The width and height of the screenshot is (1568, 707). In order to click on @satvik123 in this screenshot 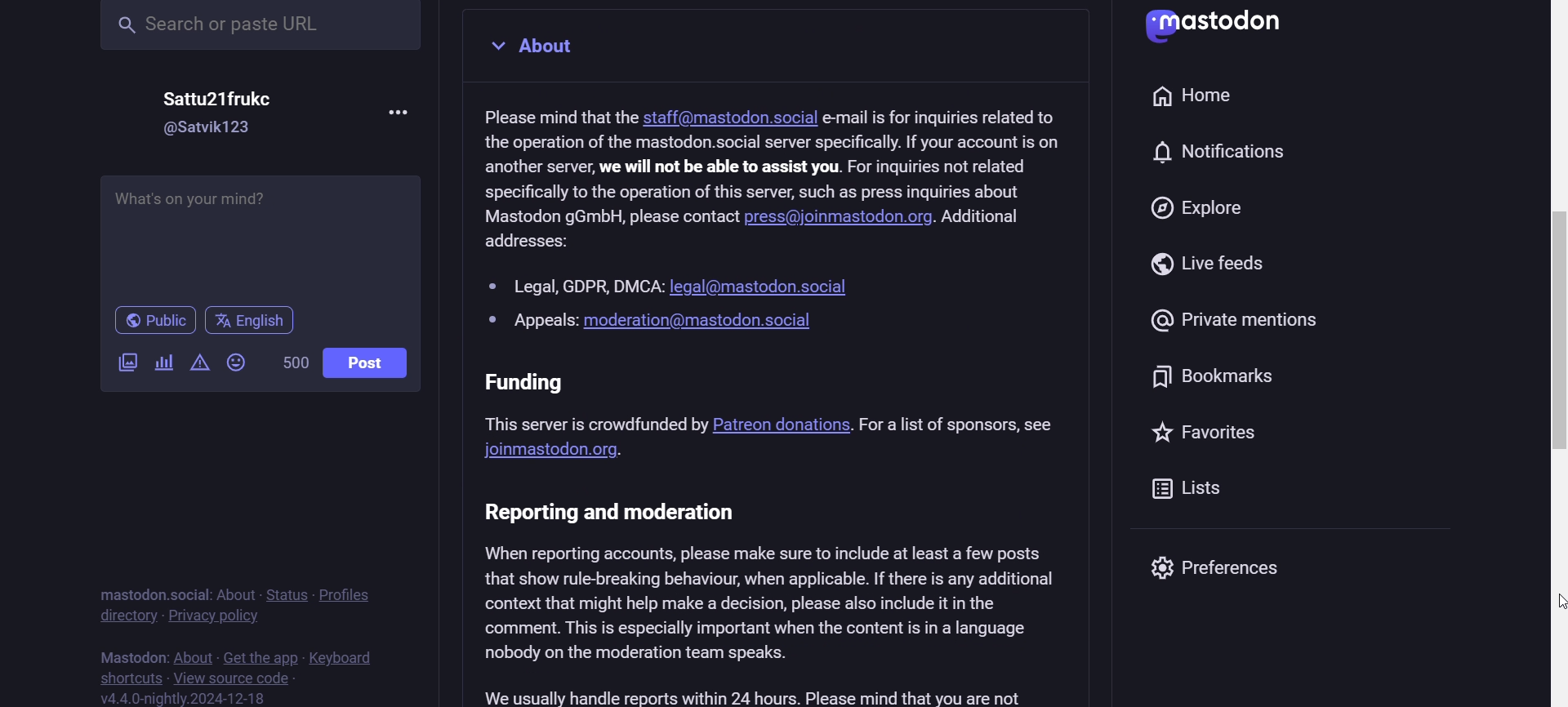, I will do `click(220, 131)`.